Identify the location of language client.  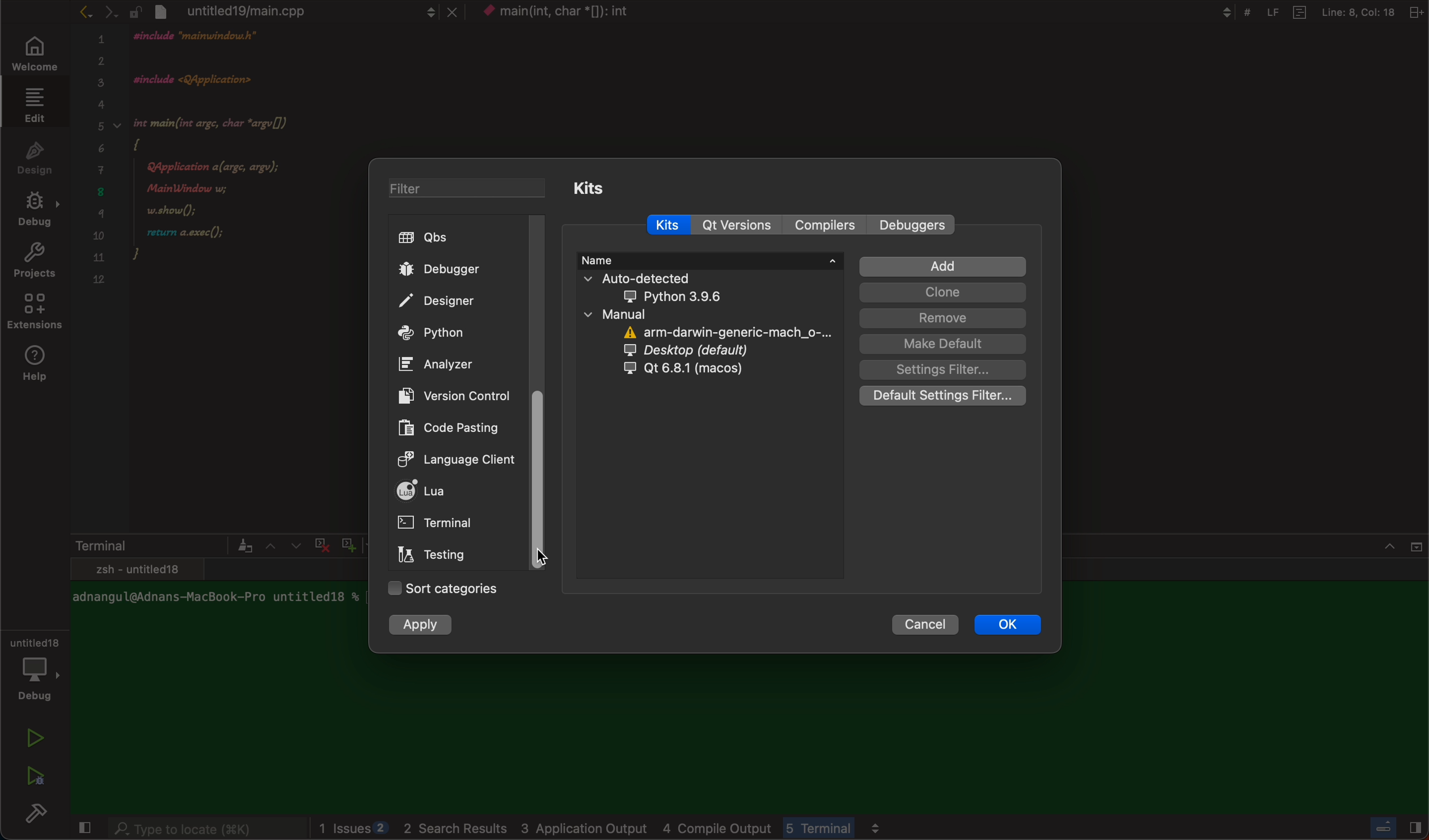
(446, 458).